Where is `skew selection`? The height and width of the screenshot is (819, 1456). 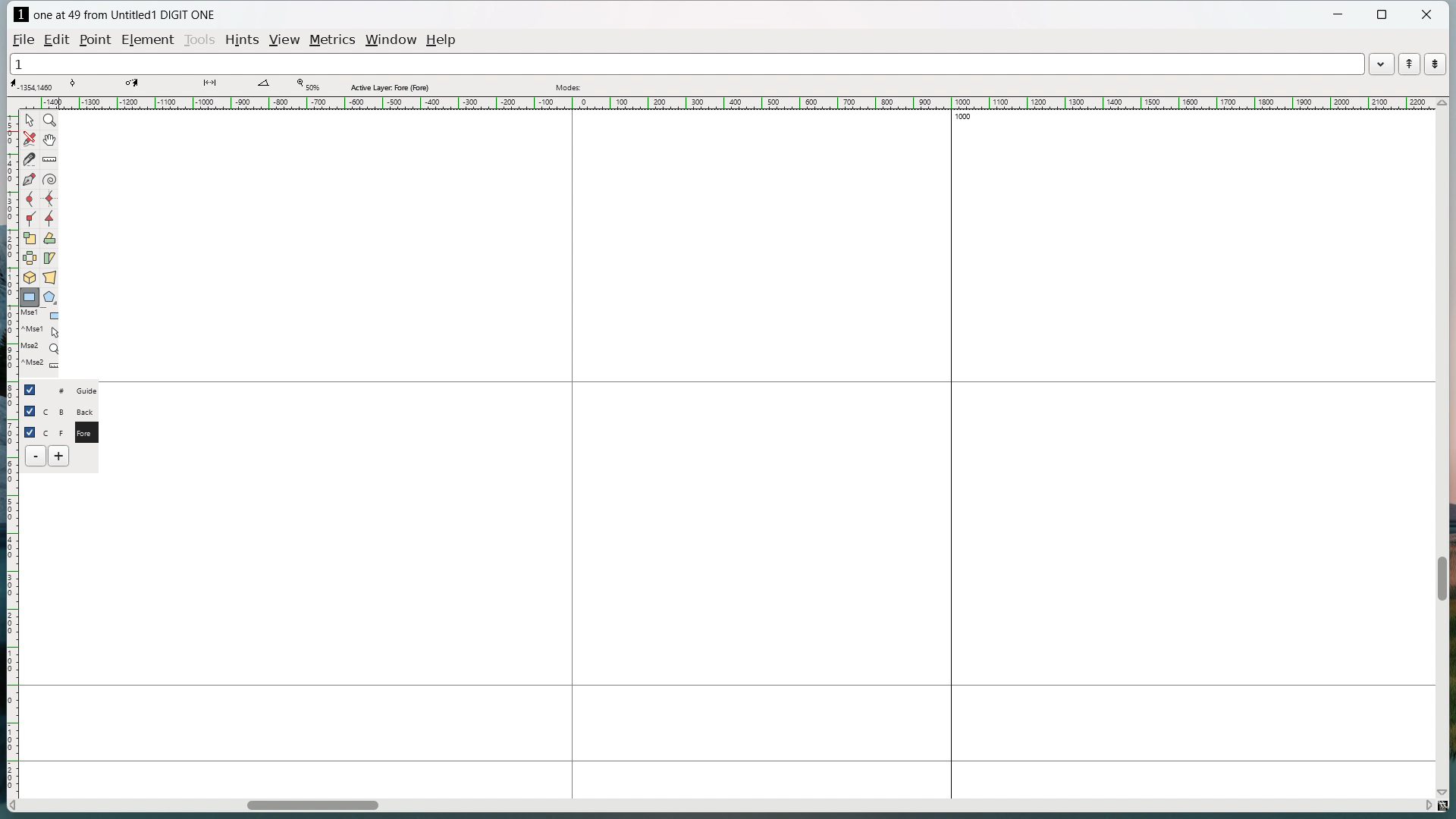 skew selection is located at coordinates (50, 258).